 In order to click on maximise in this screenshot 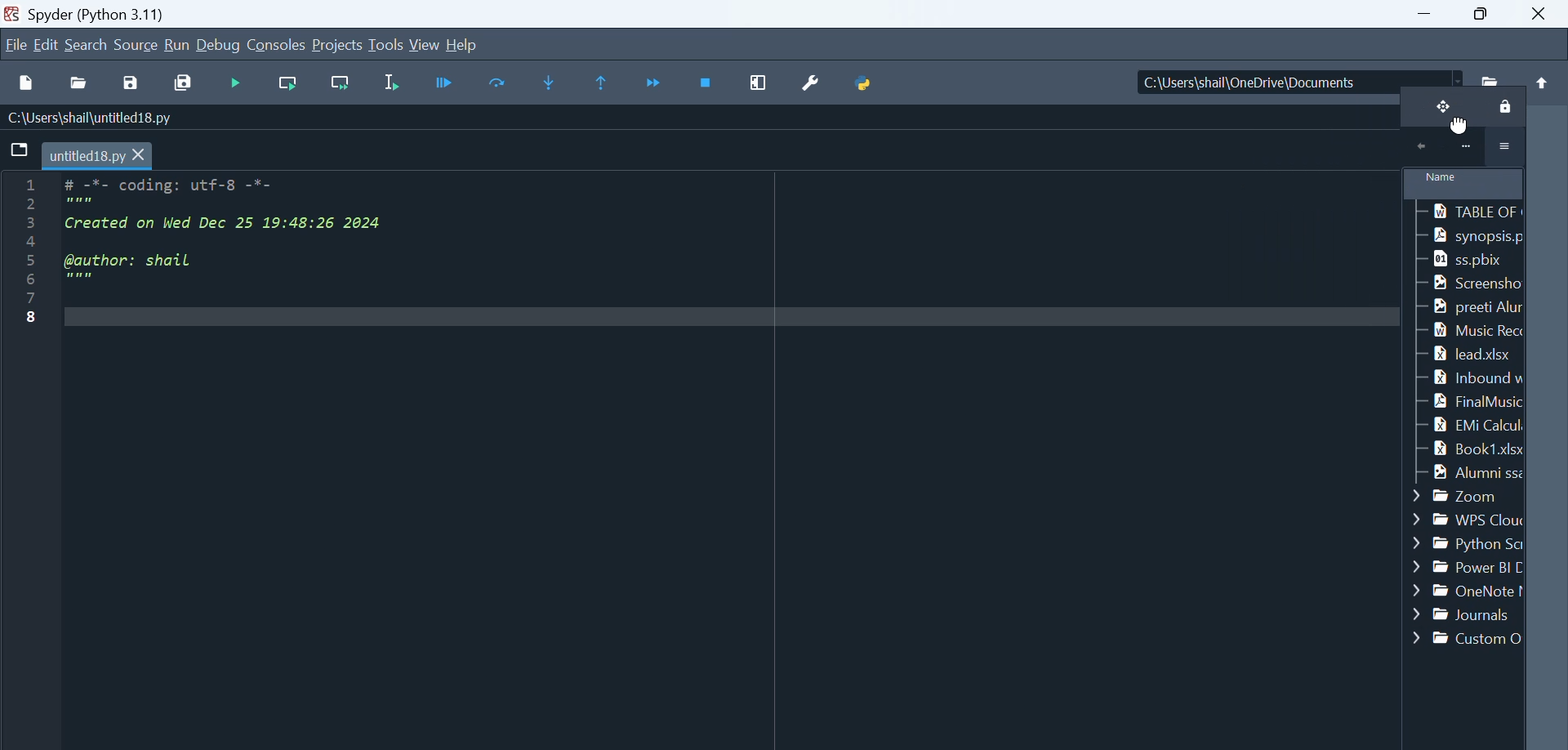, I will do `click(1488, 15)`.